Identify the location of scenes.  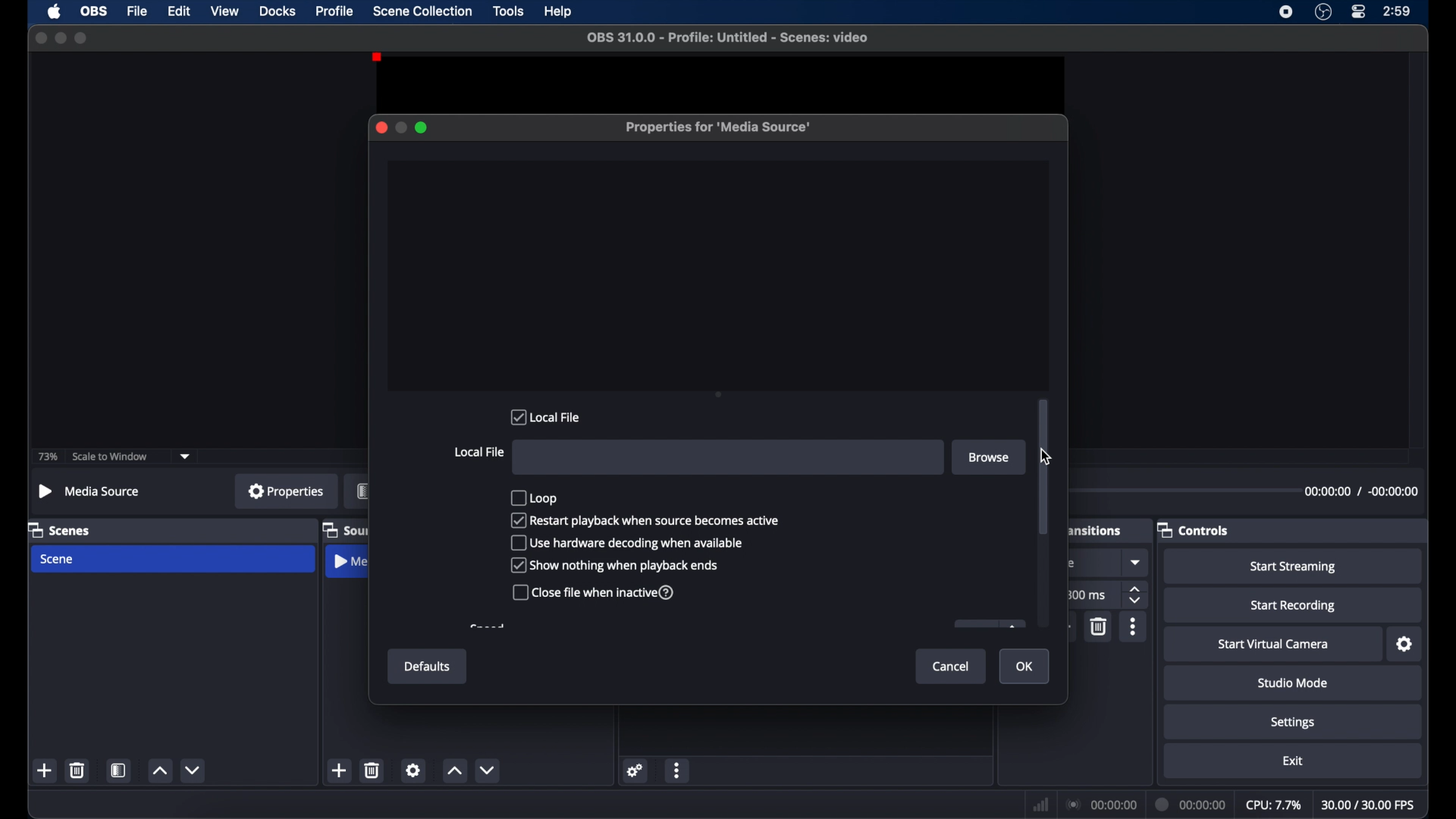
(60, 529).